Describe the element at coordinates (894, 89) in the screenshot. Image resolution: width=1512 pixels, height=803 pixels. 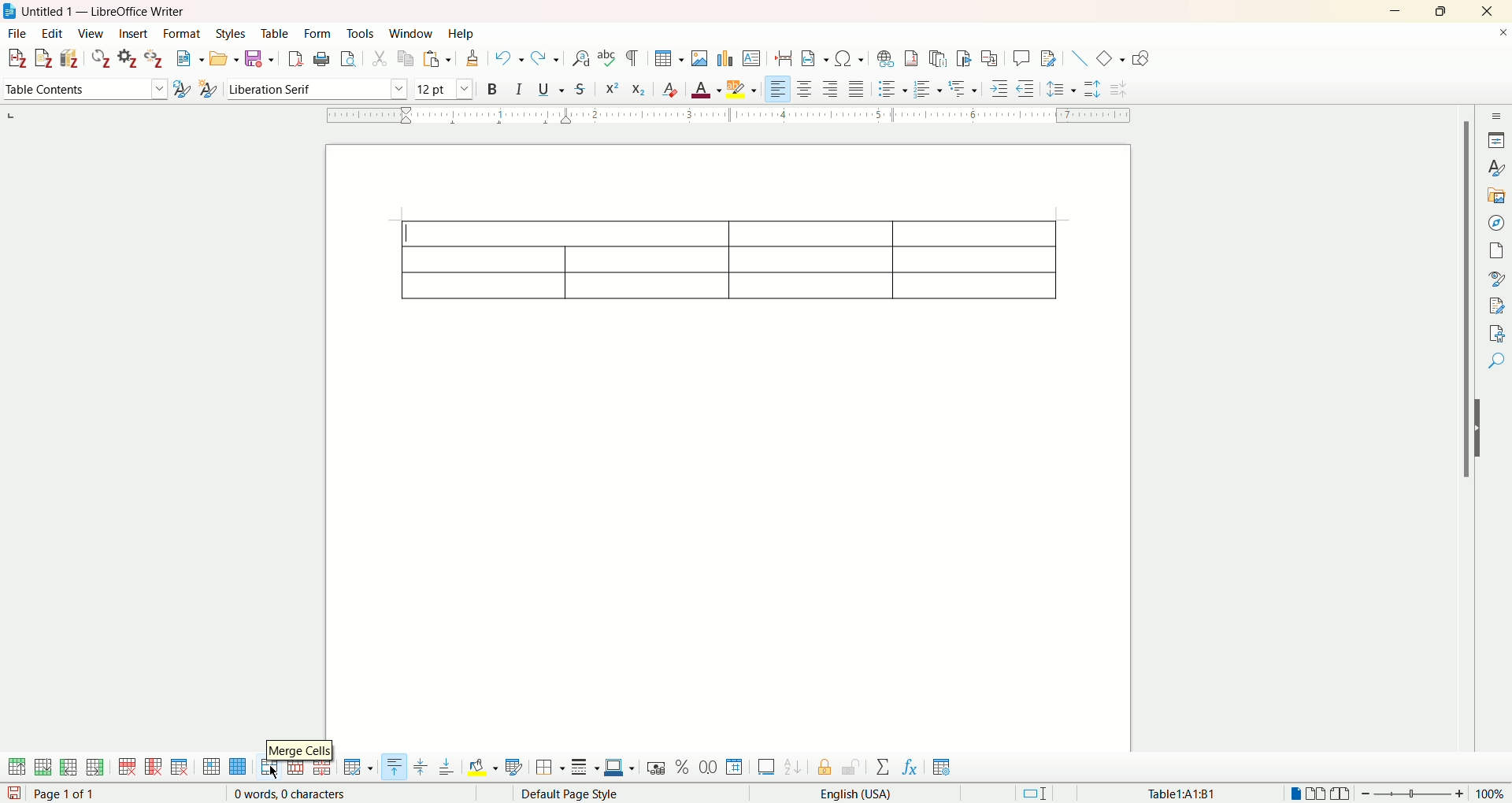
I see `unordered list` at that location.